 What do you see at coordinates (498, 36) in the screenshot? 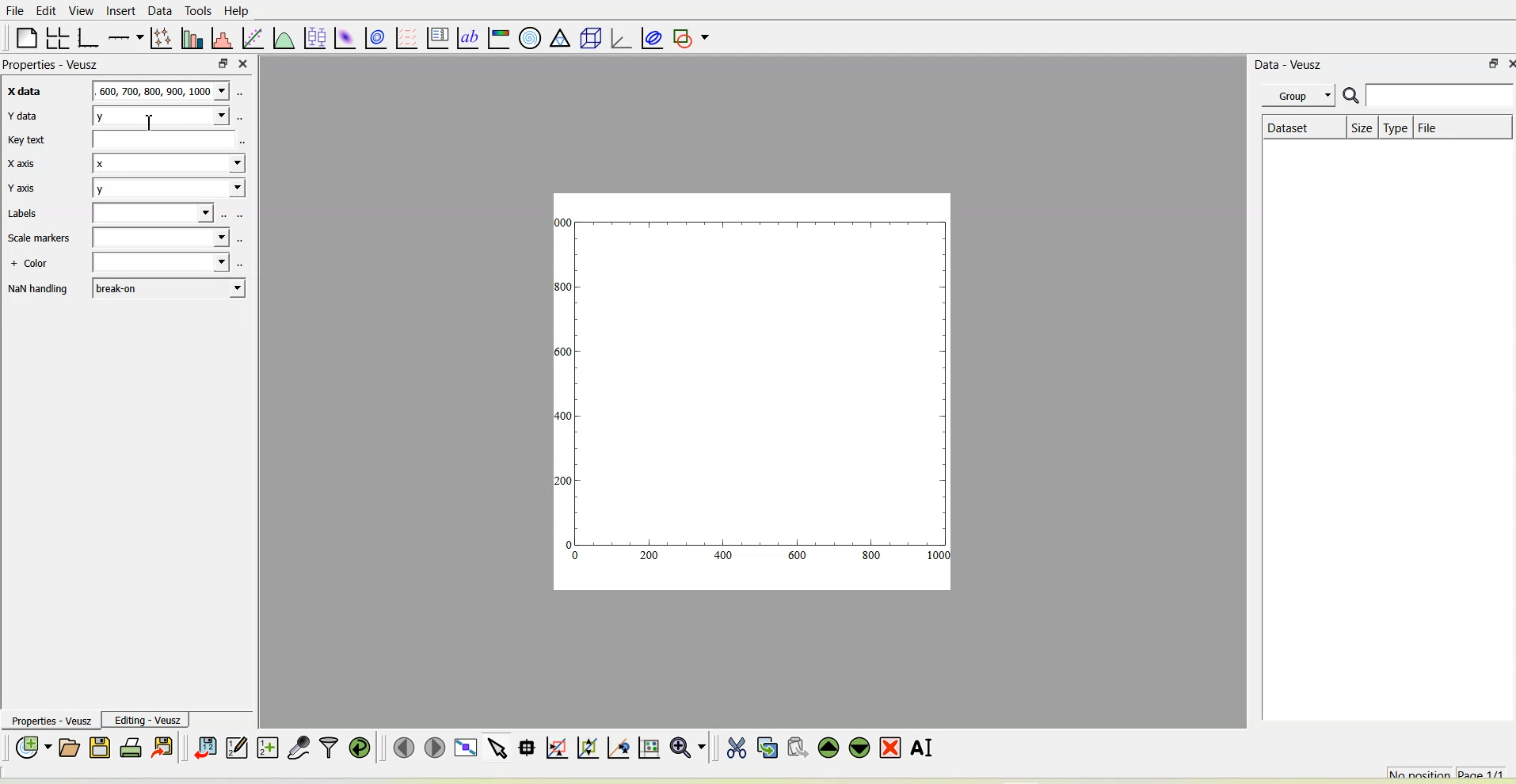
I see `Image color bar` at bounding box center [498, 36].